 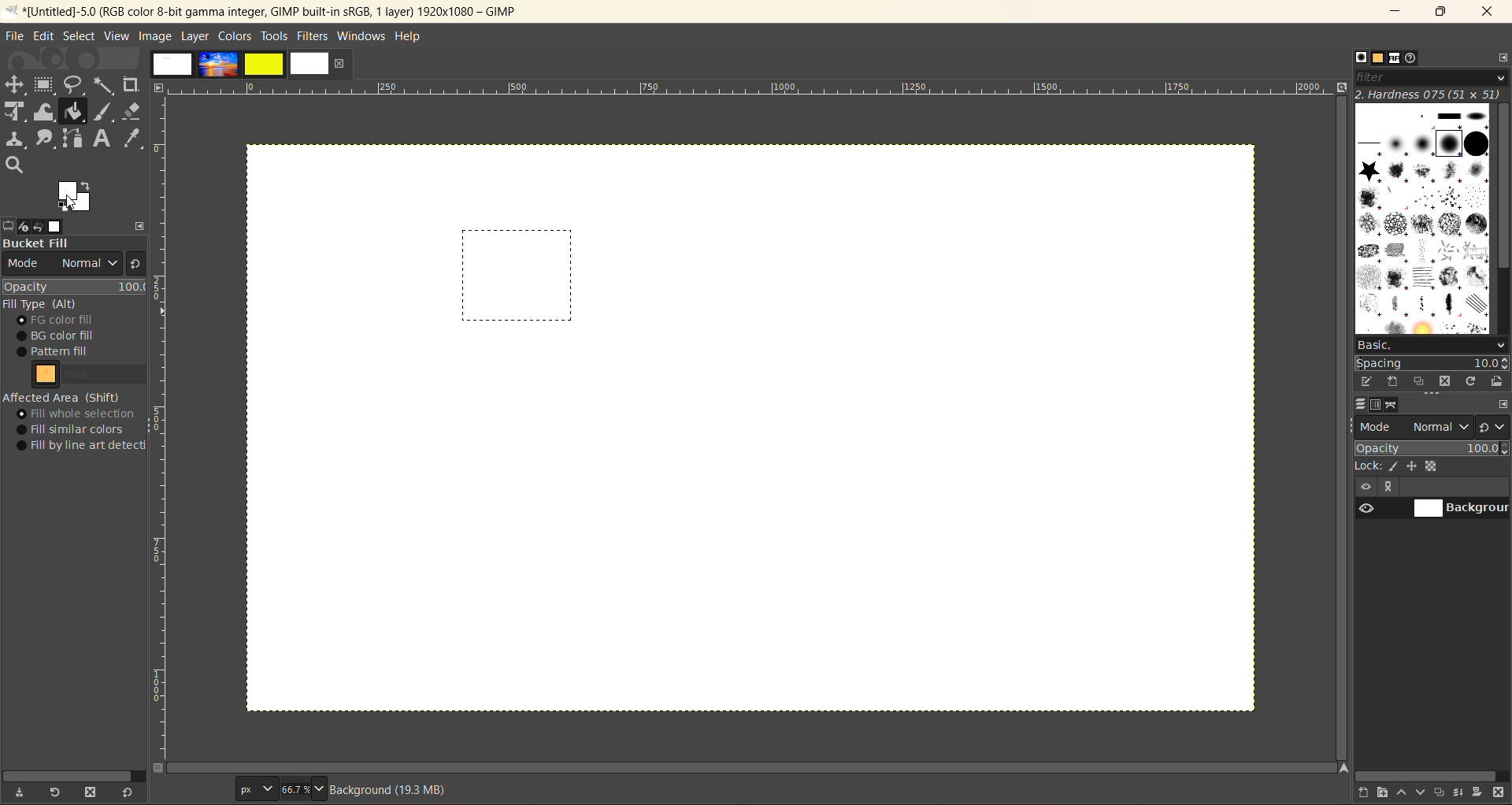 I want to click on file name and app name, so click(x=278, y=11).